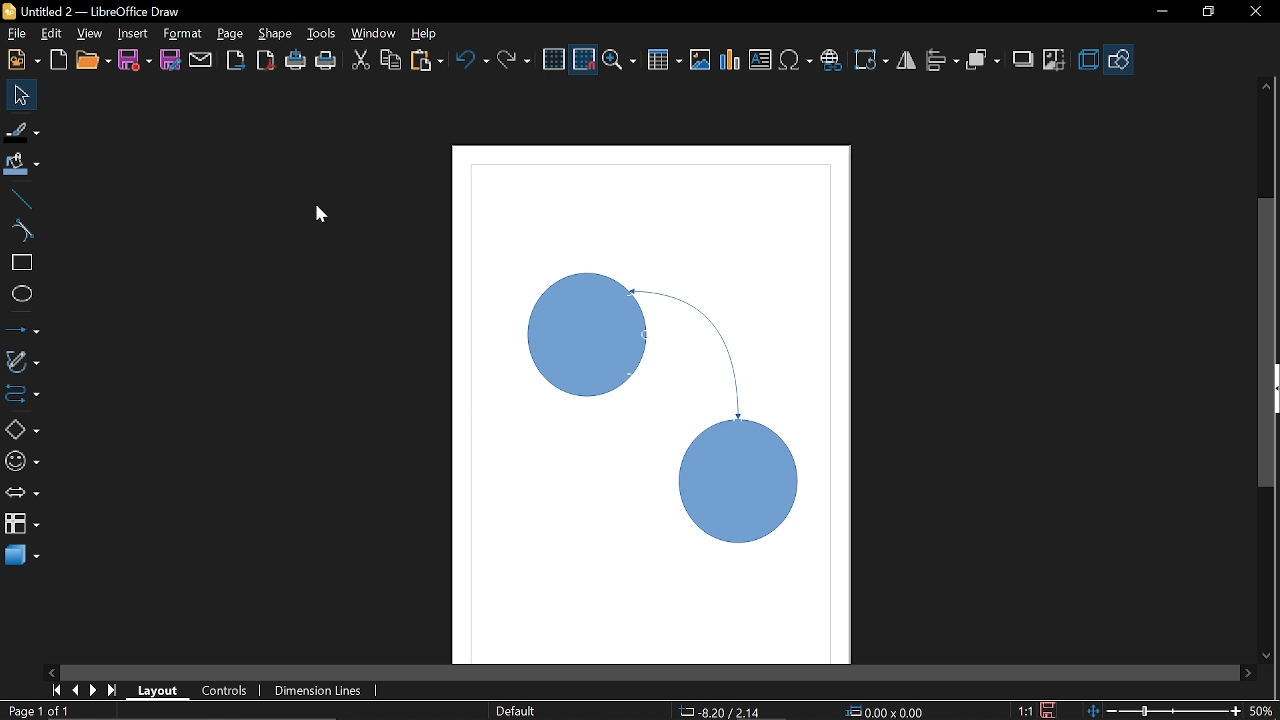 The width and height of the screenshot is (1280, 720). Describe the element at coordinates (585, 60) in the screenshot. I see `Snap to grid` at that location.